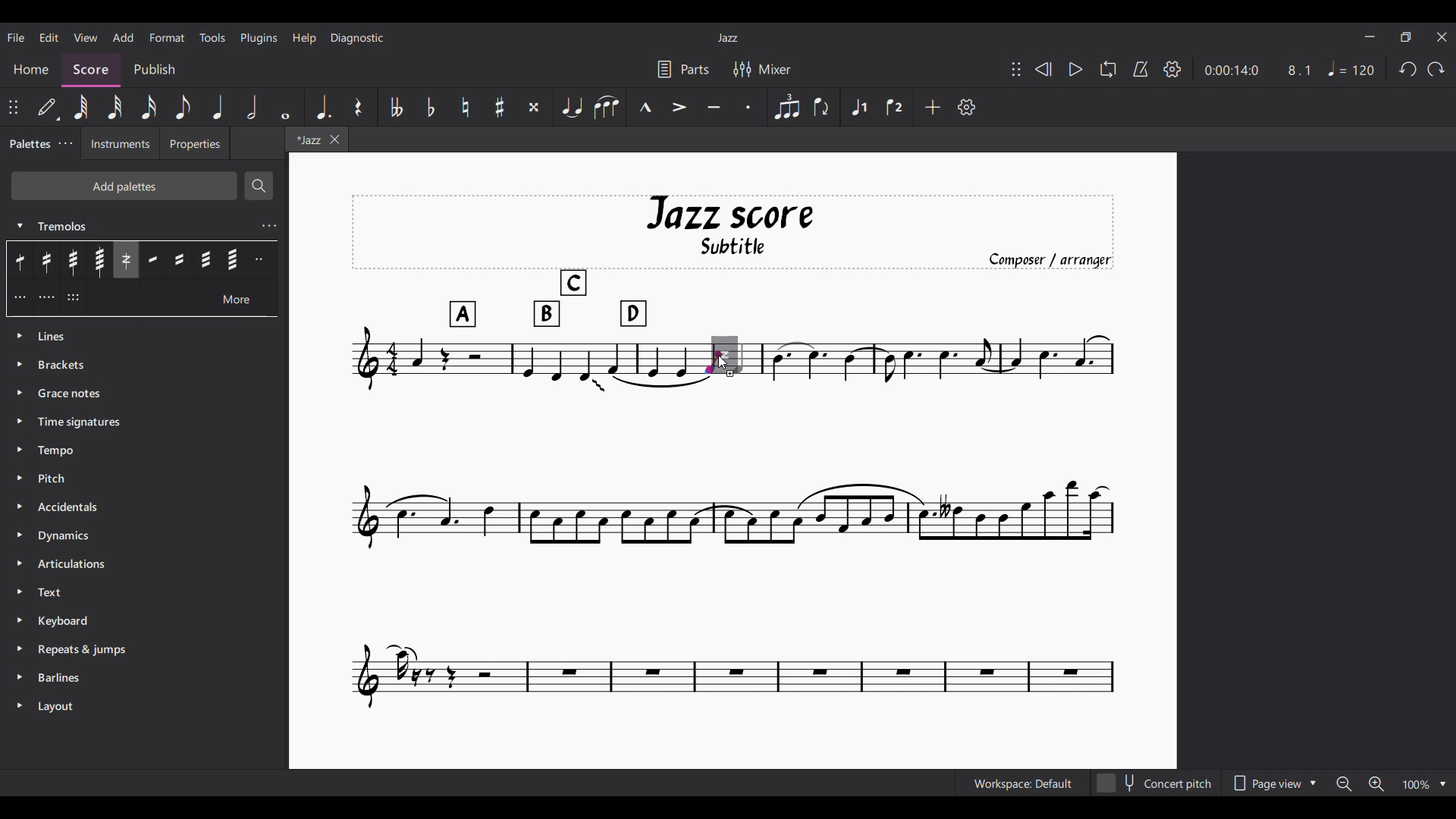 This screenshot has width=1456, height=819. What do you see at coordinates (145, 479) in the screenshot?
I see `Pitch` at bounding box center [145, 479].